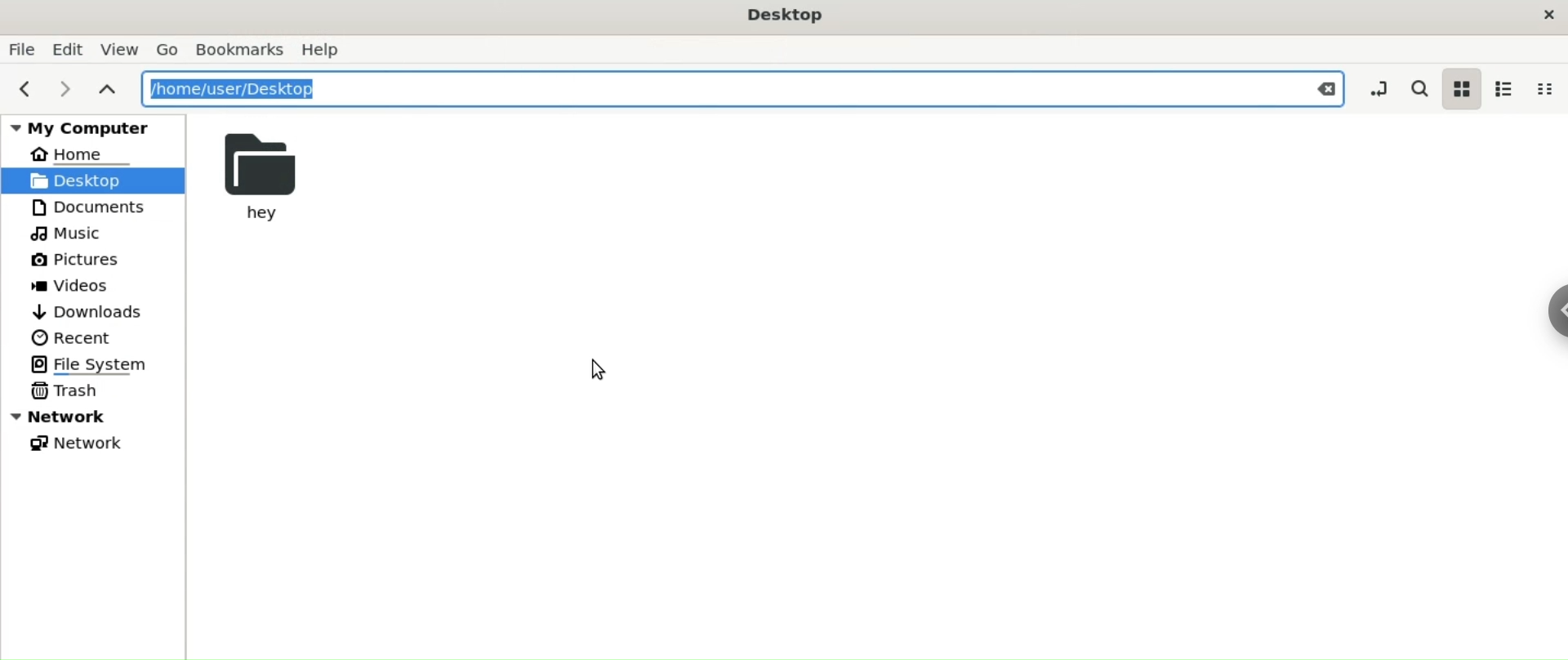 Image resolution: width=1568 pixels, height=660 pixels. Describe the element at coordinates (69, 284) in the screenshot. I see `Videos` at that location.